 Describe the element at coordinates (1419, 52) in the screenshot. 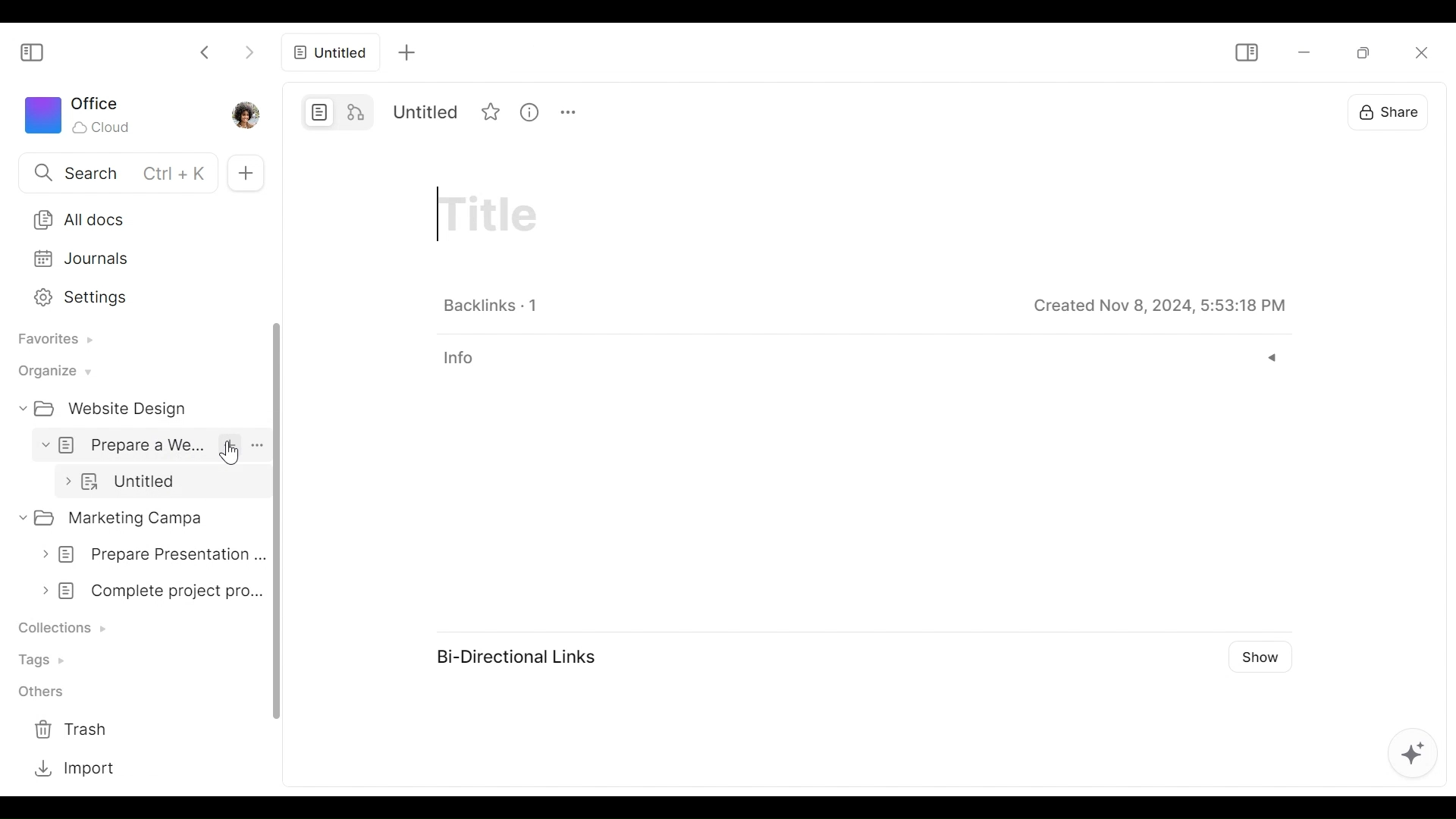

I see `Close` at that location.